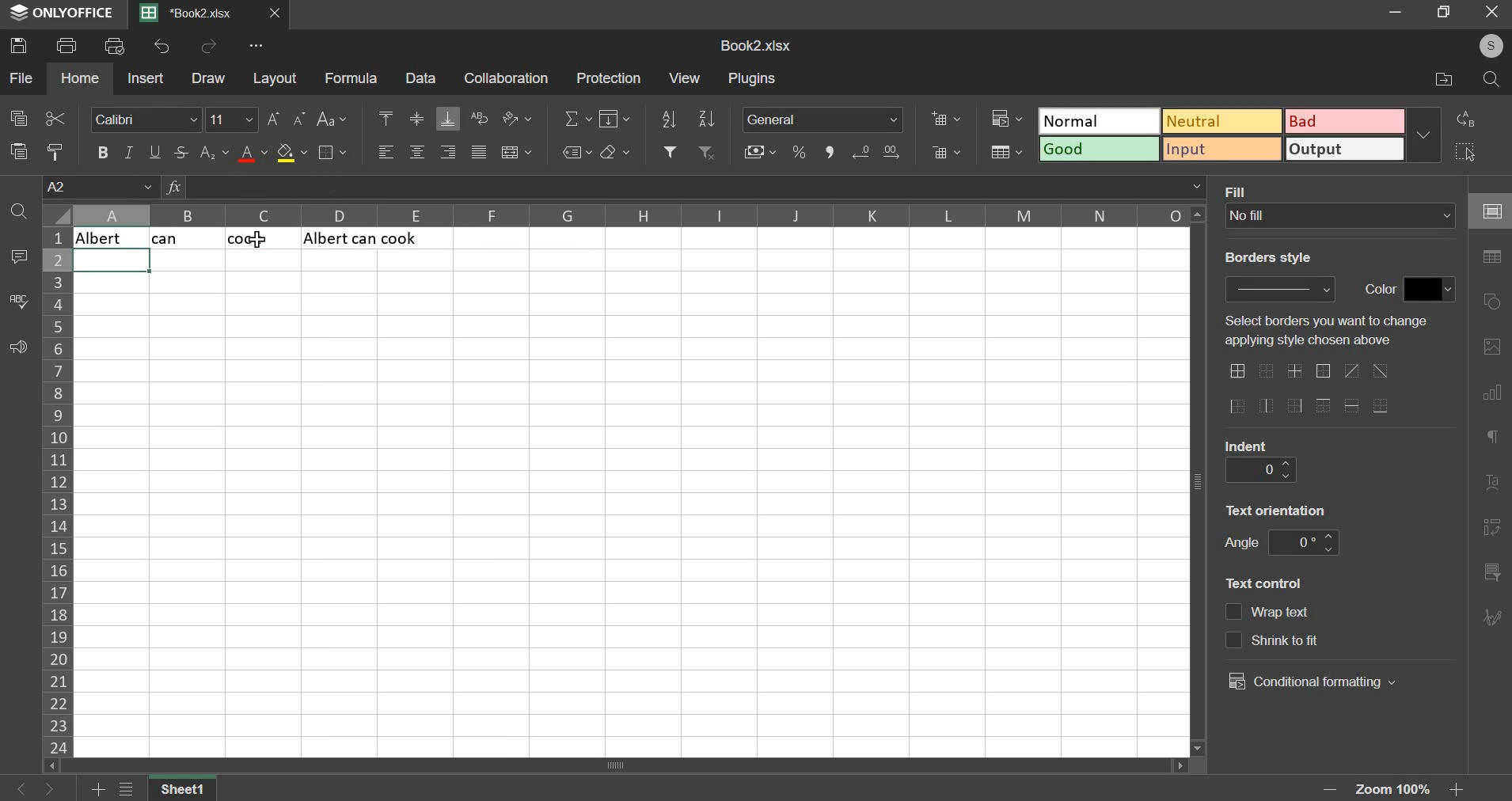  Describe the element at coordinates (214, 151) in the screenshot. I see `subscript & superscript` at that location.